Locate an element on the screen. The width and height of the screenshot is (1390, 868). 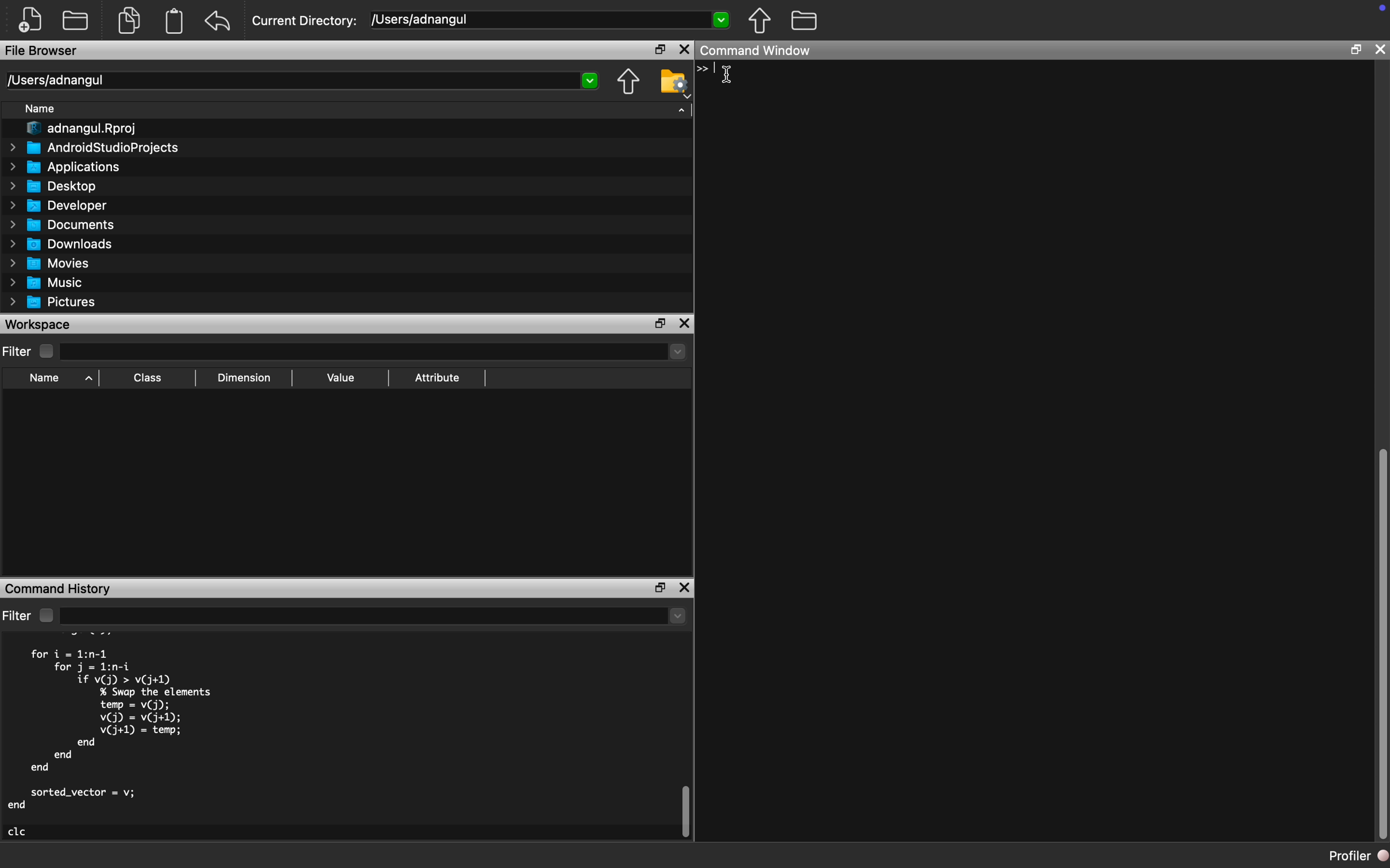
Close is located at coordinates (685, 50).